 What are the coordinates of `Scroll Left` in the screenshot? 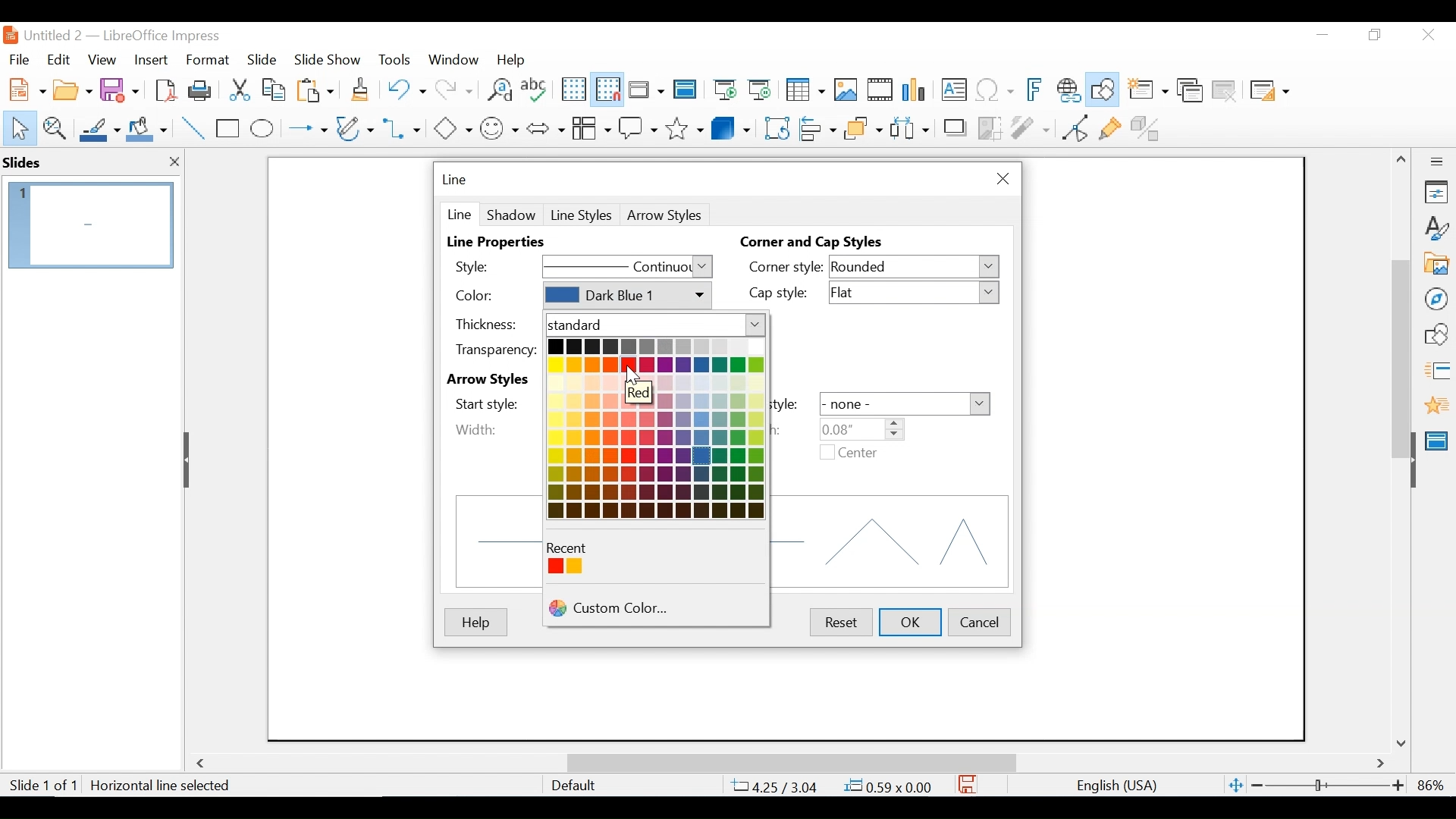 It's located at (203, 764).